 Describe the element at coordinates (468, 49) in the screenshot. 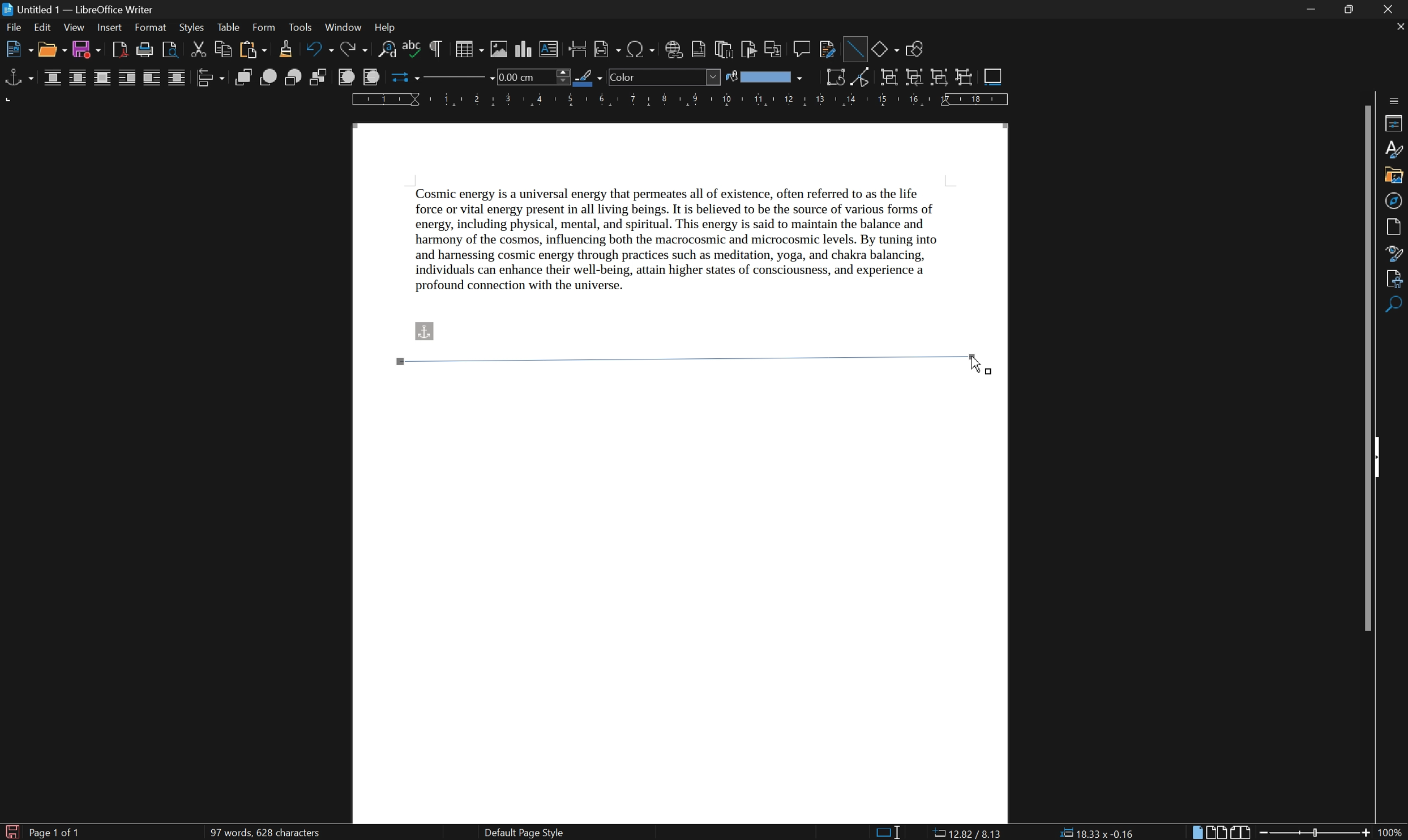

I see `insert table` at that location.